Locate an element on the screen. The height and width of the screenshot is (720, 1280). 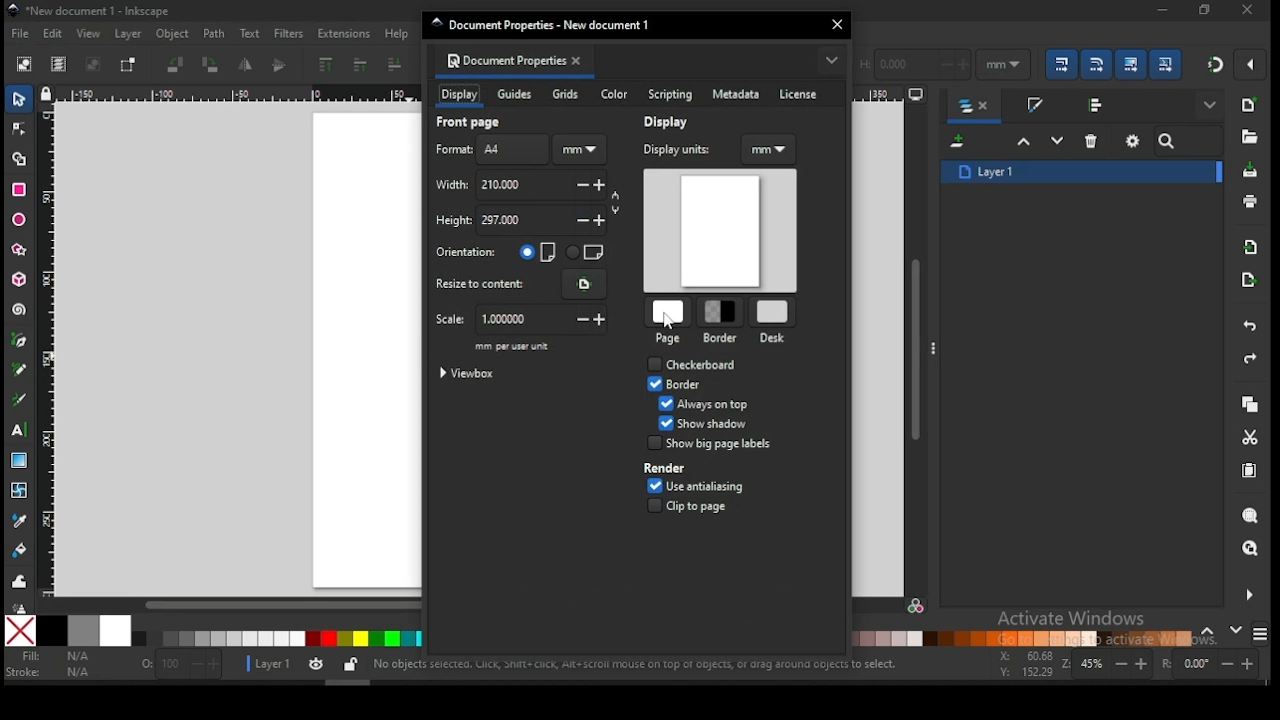
restore is located at coordinates (1248, 10).